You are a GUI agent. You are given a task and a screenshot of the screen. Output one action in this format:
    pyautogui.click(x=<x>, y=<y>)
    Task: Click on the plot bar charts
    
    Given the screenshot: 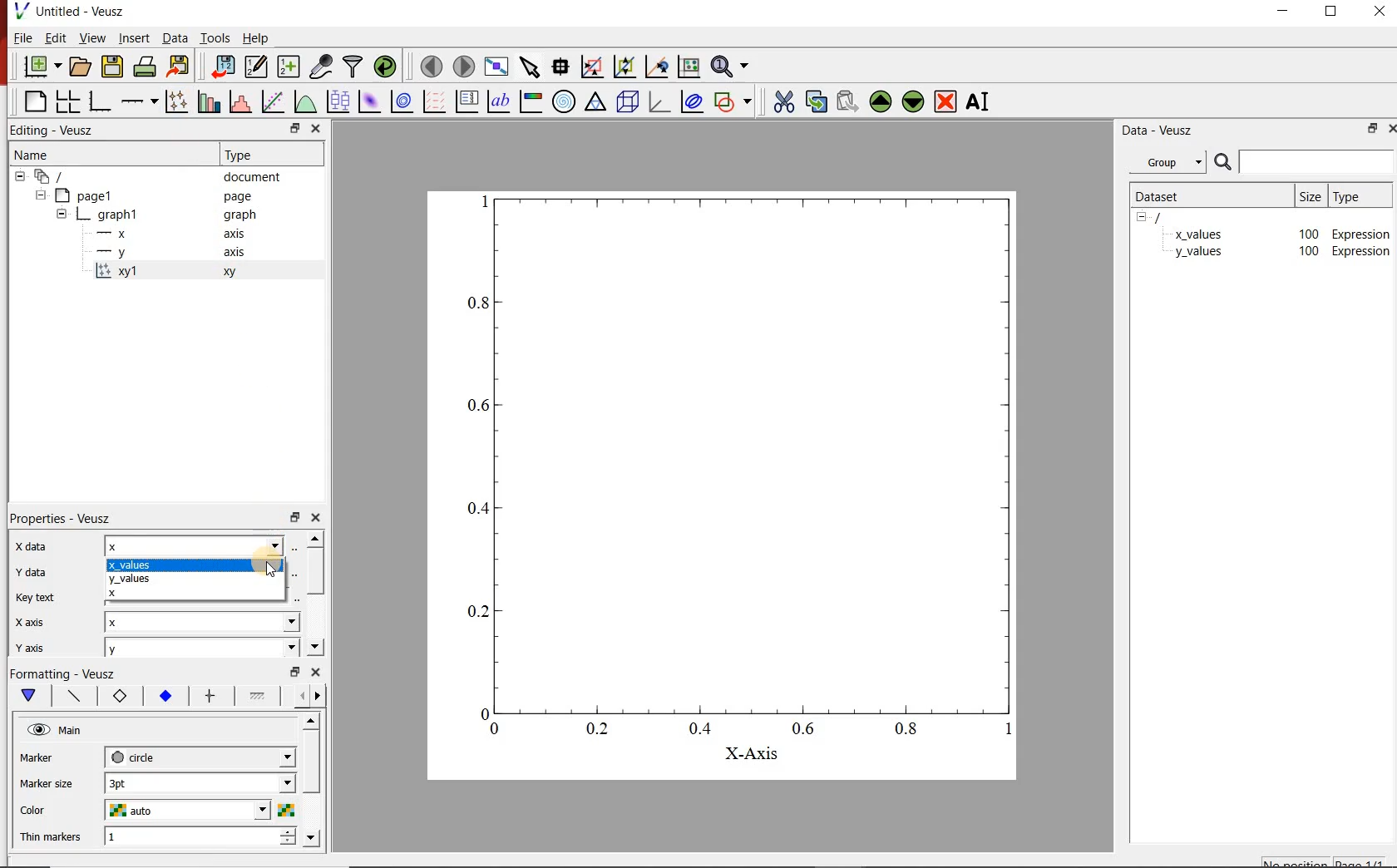 What is the action you would take?
    pyautogui.click(x=209, y=101)
    